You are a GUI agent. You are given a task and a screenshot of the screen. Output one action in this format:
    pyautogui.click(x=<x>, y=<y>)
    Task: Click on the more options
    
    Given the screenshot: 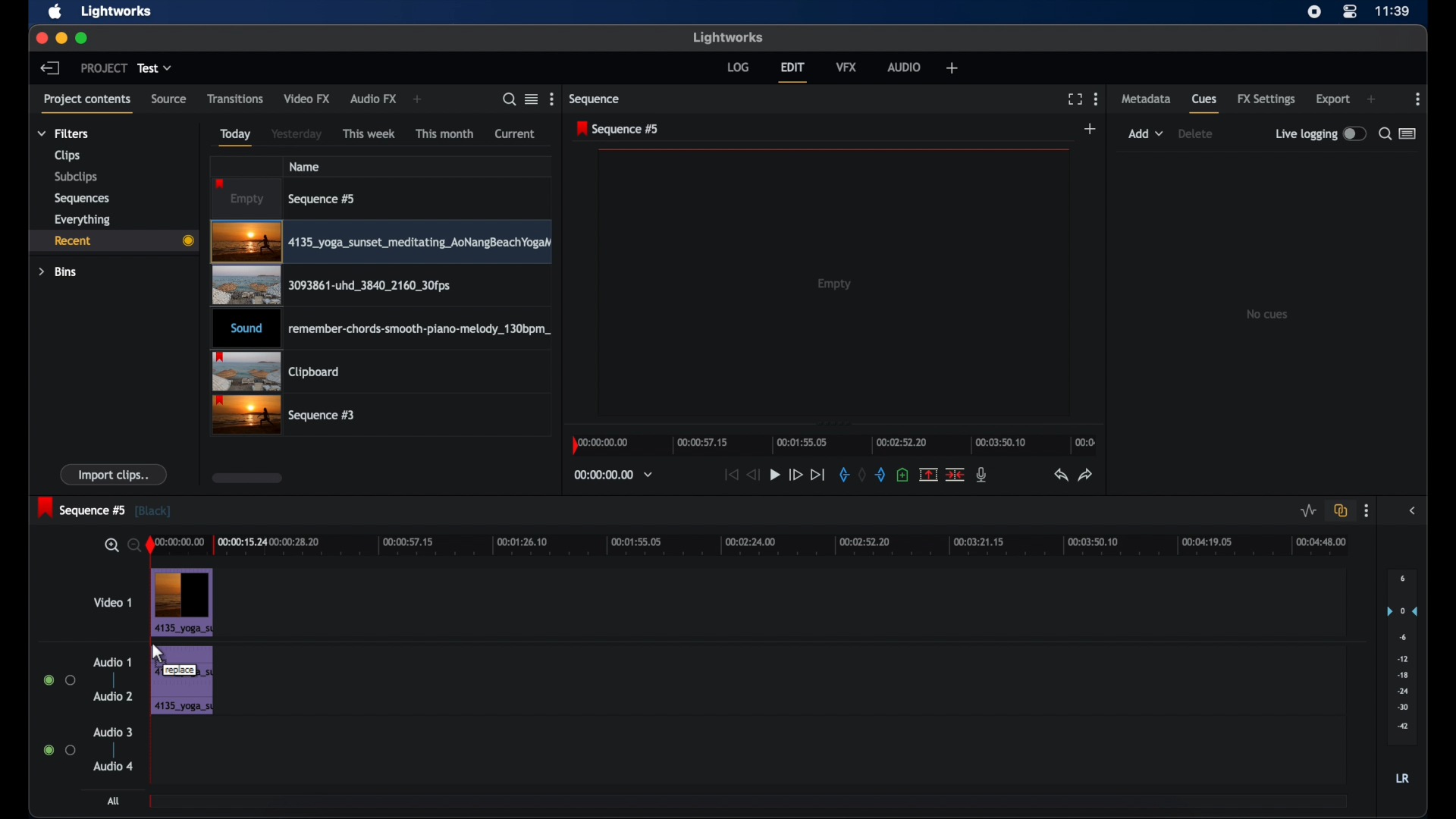 What is the action you would take?
    pyautogui.click(x=1367, y=512)
    